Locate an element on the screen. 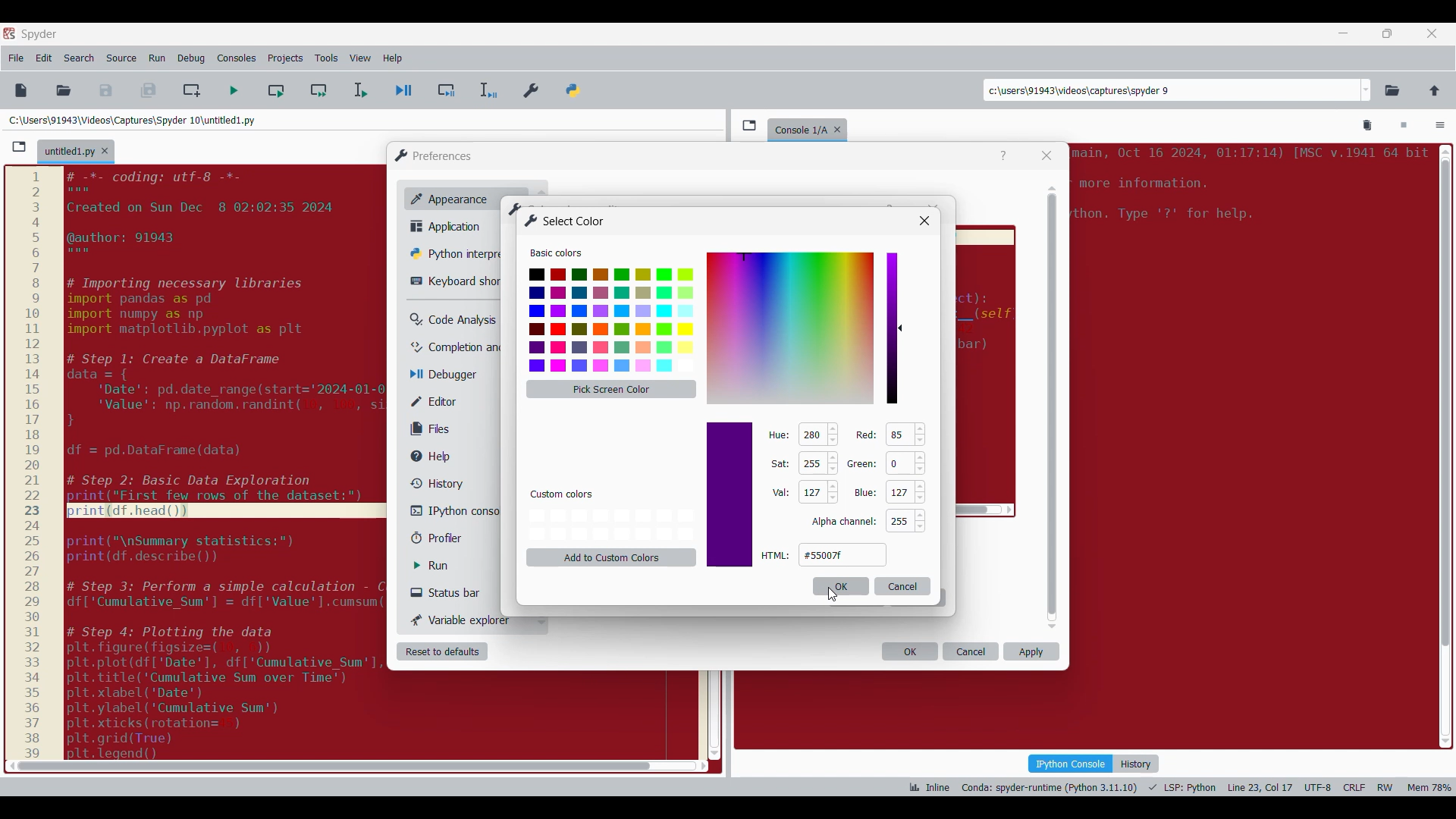 The image size is (1456, 819).  is located at coordinates (923, 220).